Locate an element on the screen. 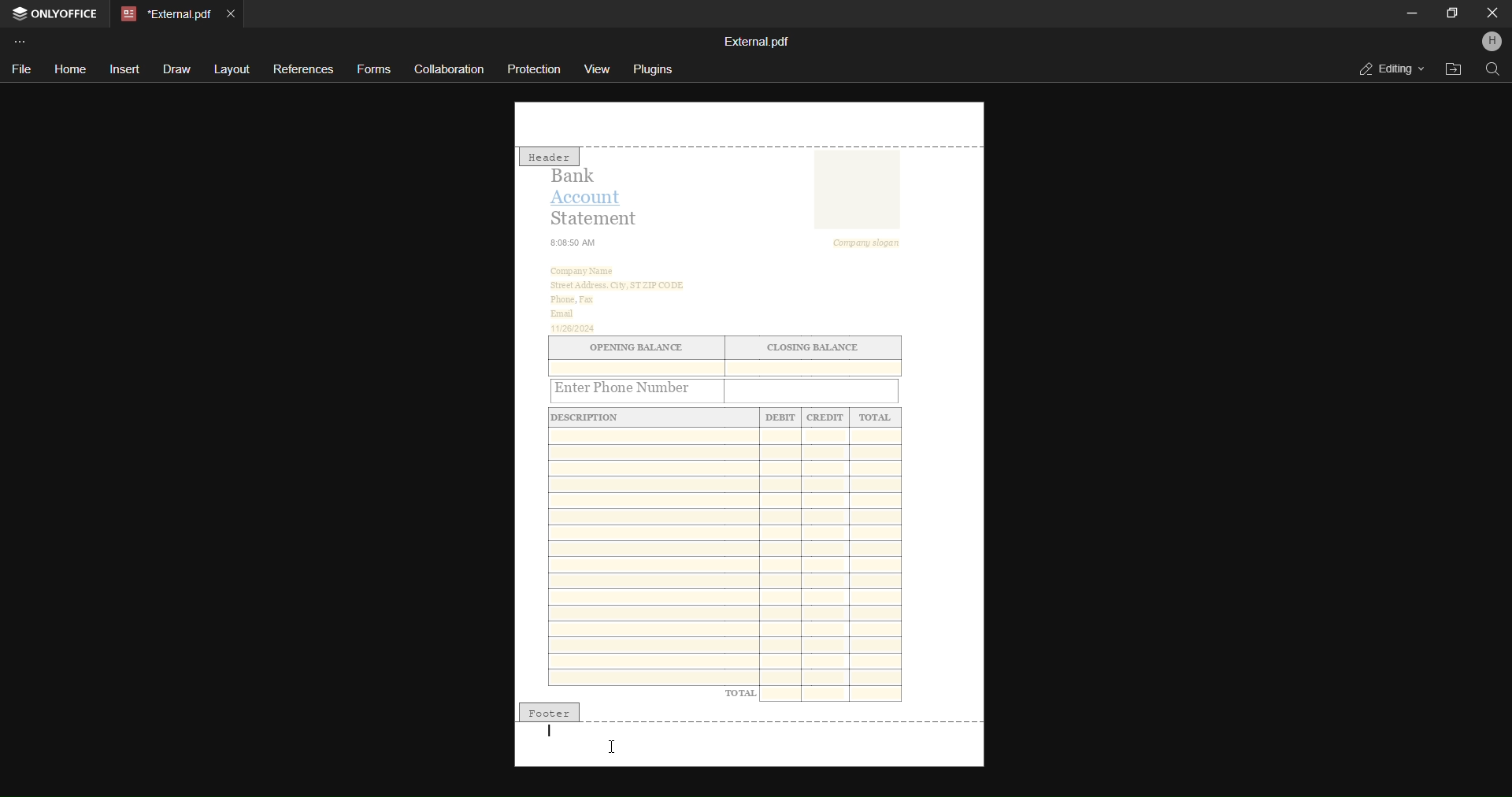 This screenshot has width=1512, height=797. close current open tab is located at coordinates (235, 11).